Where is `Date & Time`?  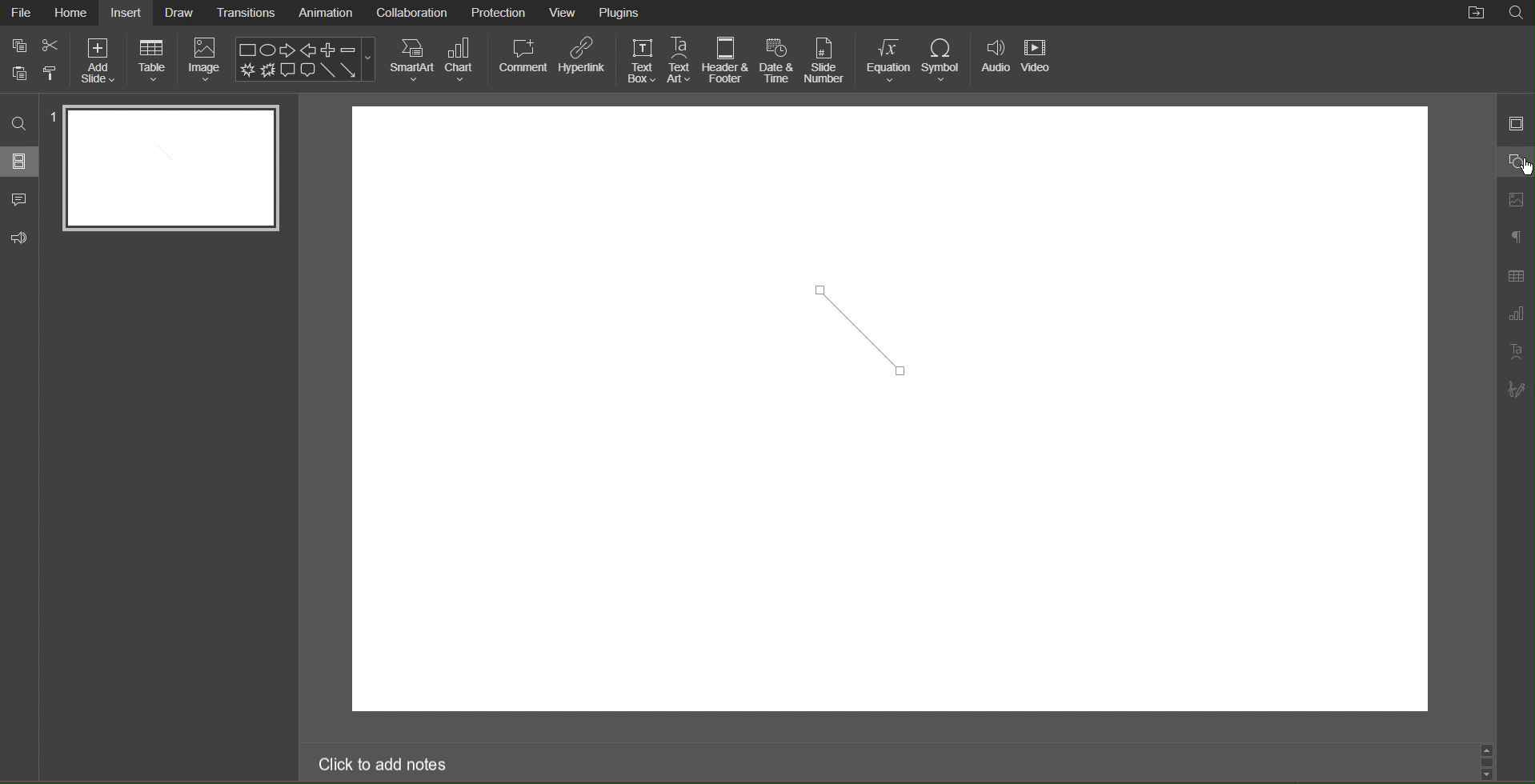 Date & Time is located at coordinates (777, 61).